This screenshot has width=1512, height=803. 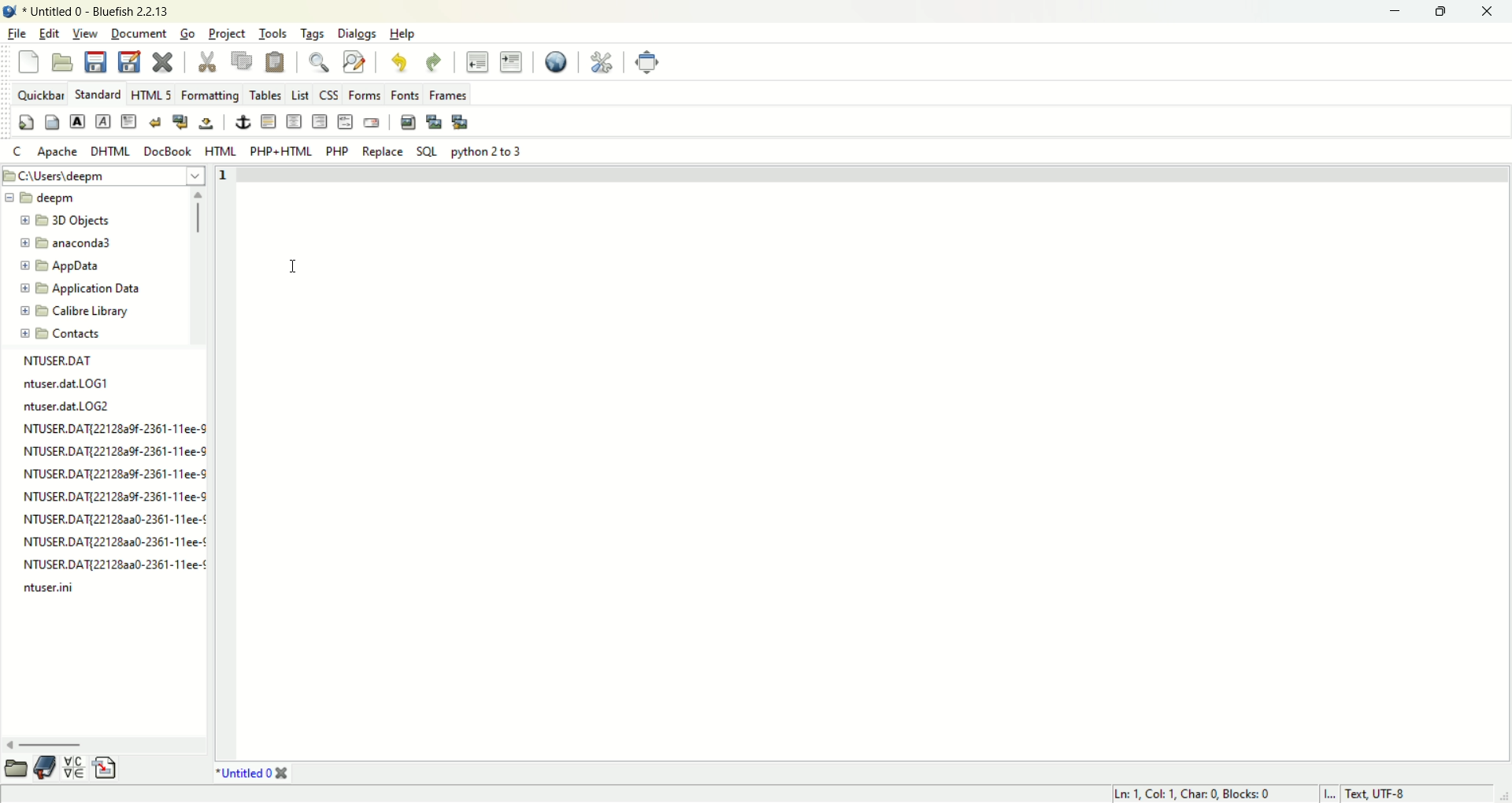 What do you see at coordinates (317, 122) in the screenshot?
I see `right justify` at bounding box center [317, 122].